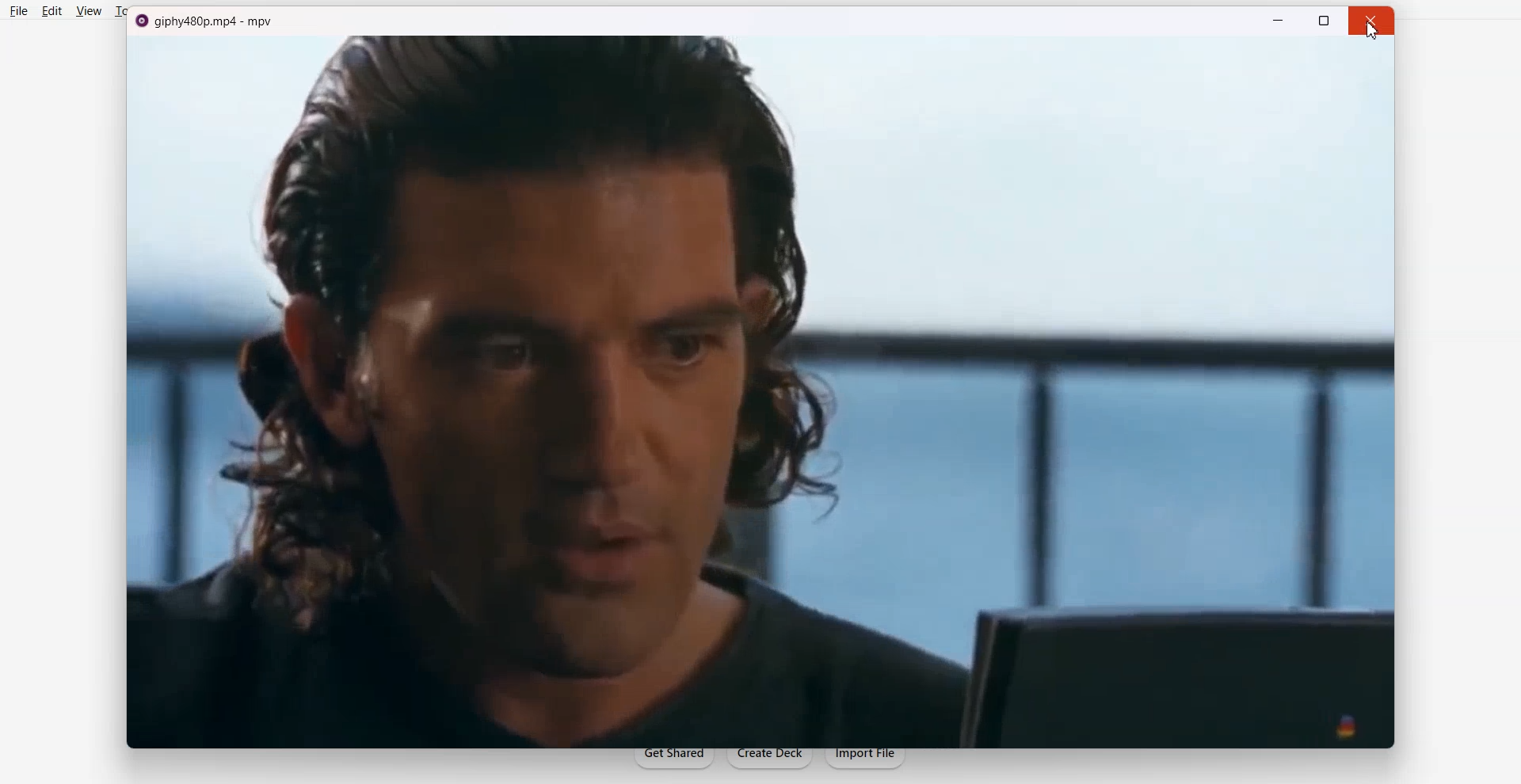  What do you see at coordinates (674, 760) in the screenshot?
I see `Get Shared` at bounding box center [674, 760].